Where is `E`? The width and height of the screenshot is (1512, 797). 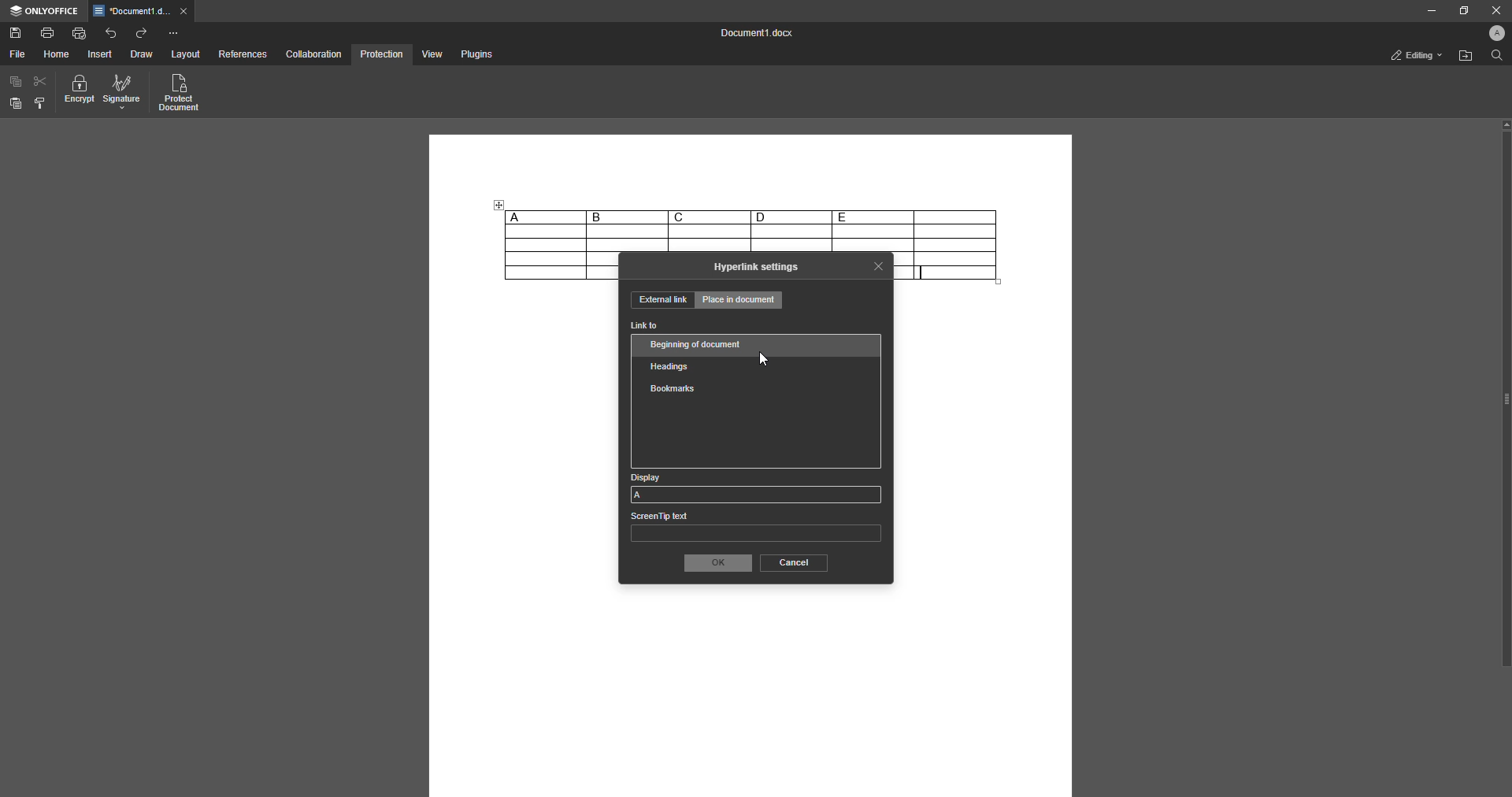 E is located at coordinates (873, 217).